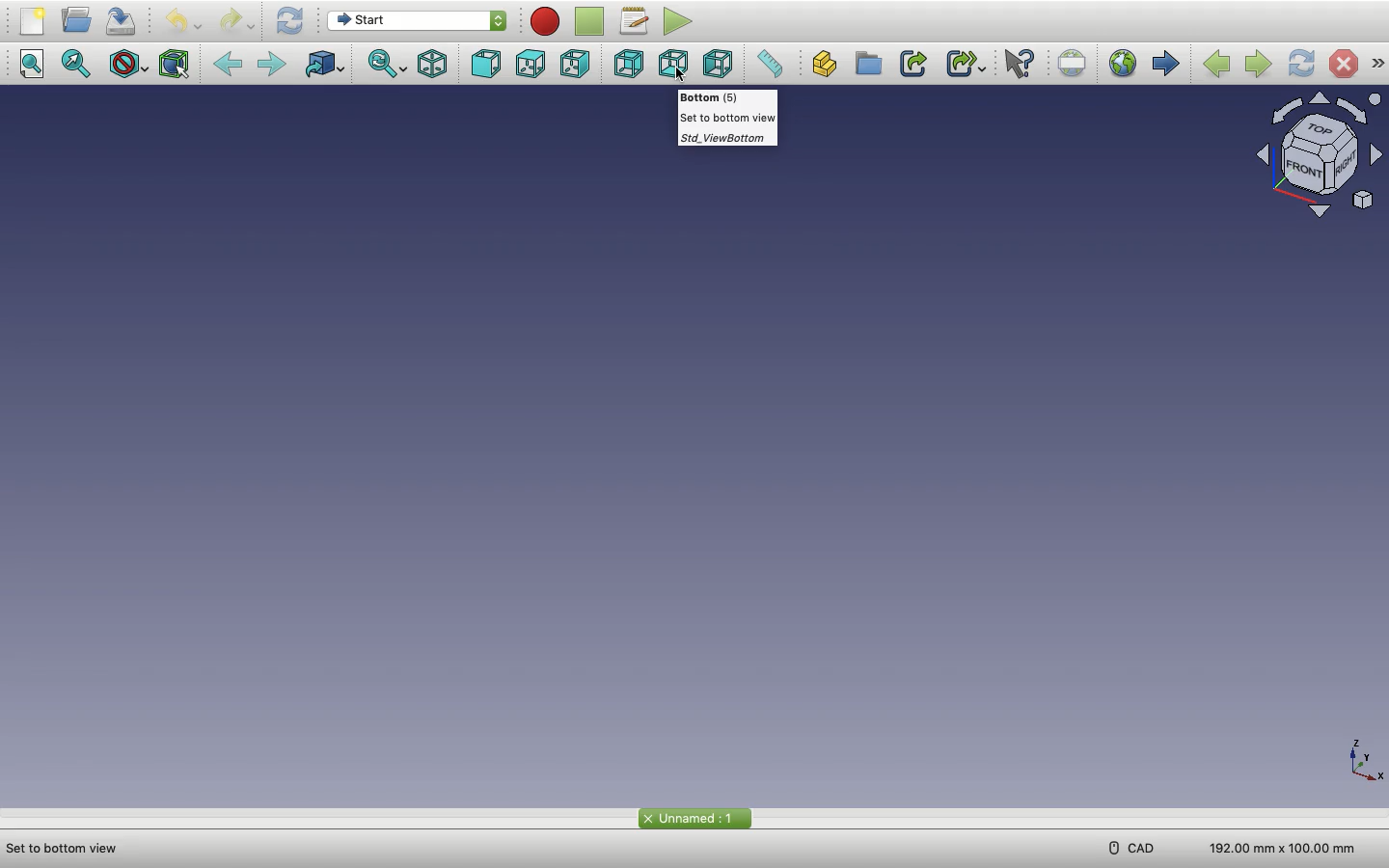 Image resolution: width=1389 pixels, height=868 pixels. What do you see at coordinates (637, 23) in the screenshot?
I see `Macros` at bounding box center [637, 23].